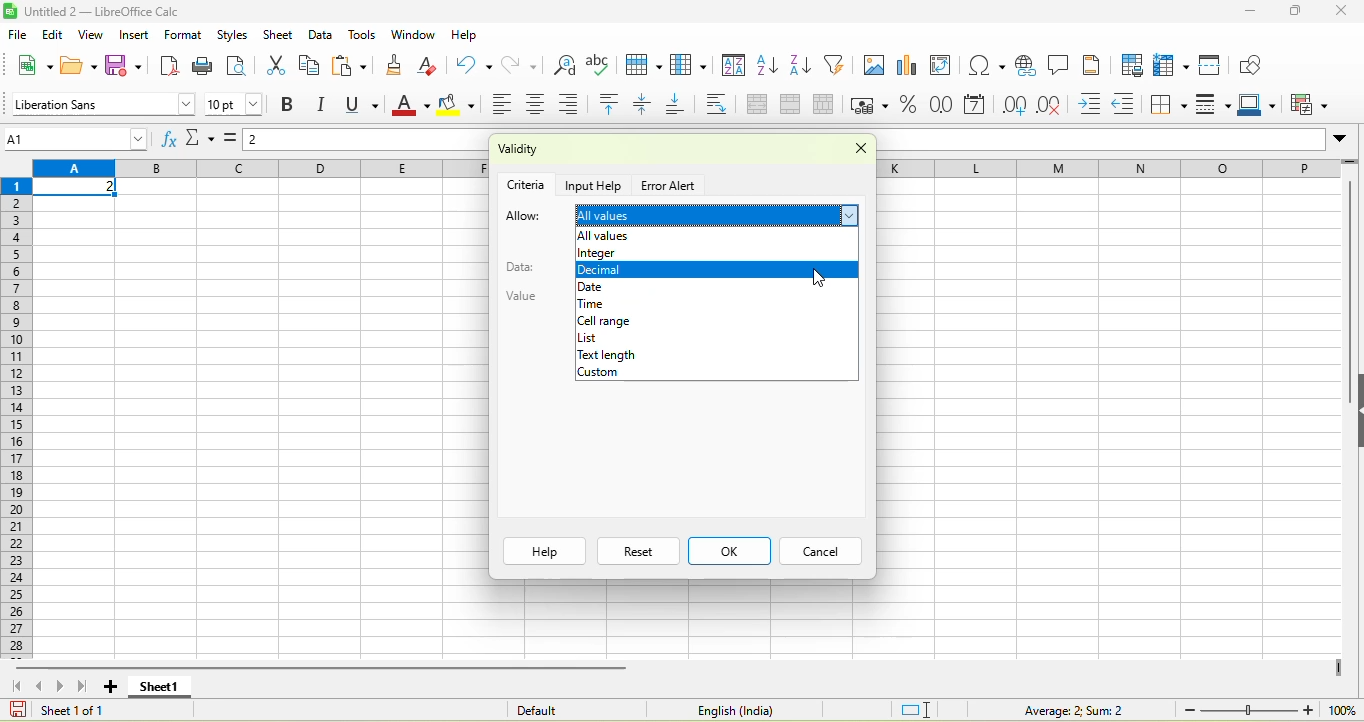  I want to click on allow empty cells, so click(714, 236).